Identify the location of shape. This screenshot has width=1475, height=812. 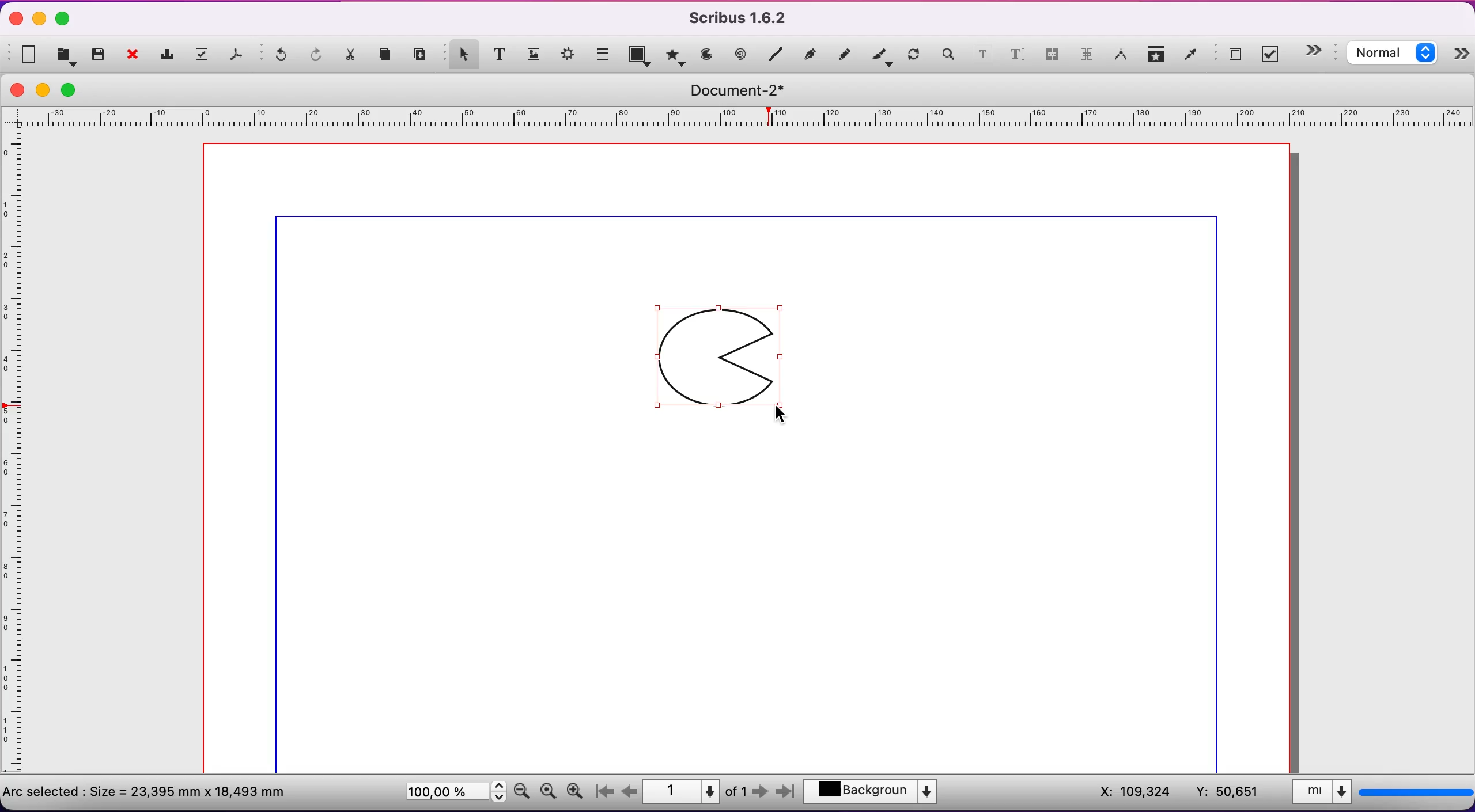
(641, 57).